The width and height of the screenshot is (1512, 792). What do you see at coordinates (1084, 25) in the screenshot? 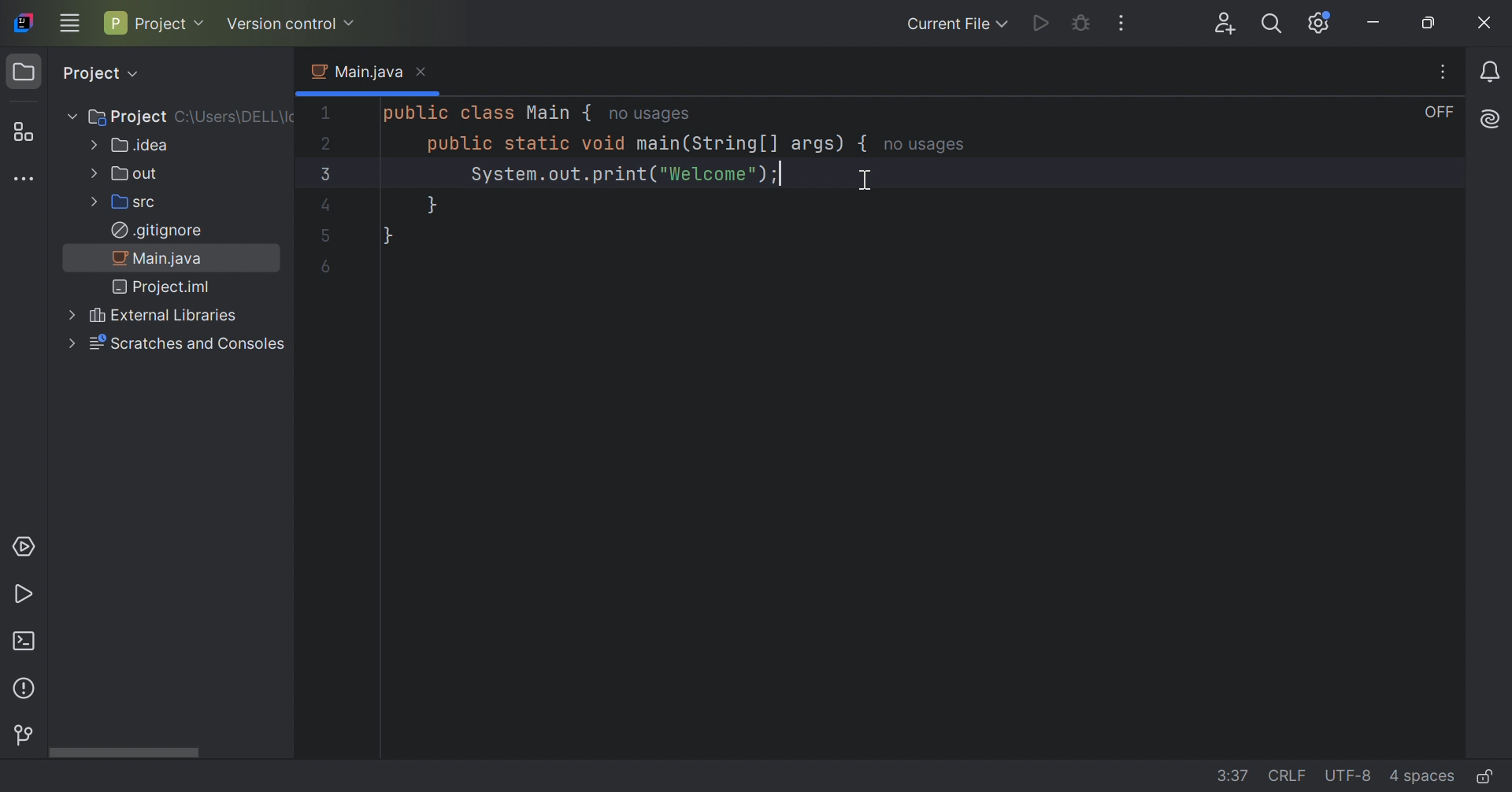
I see `Debug` at bounding box center [1084, 25].